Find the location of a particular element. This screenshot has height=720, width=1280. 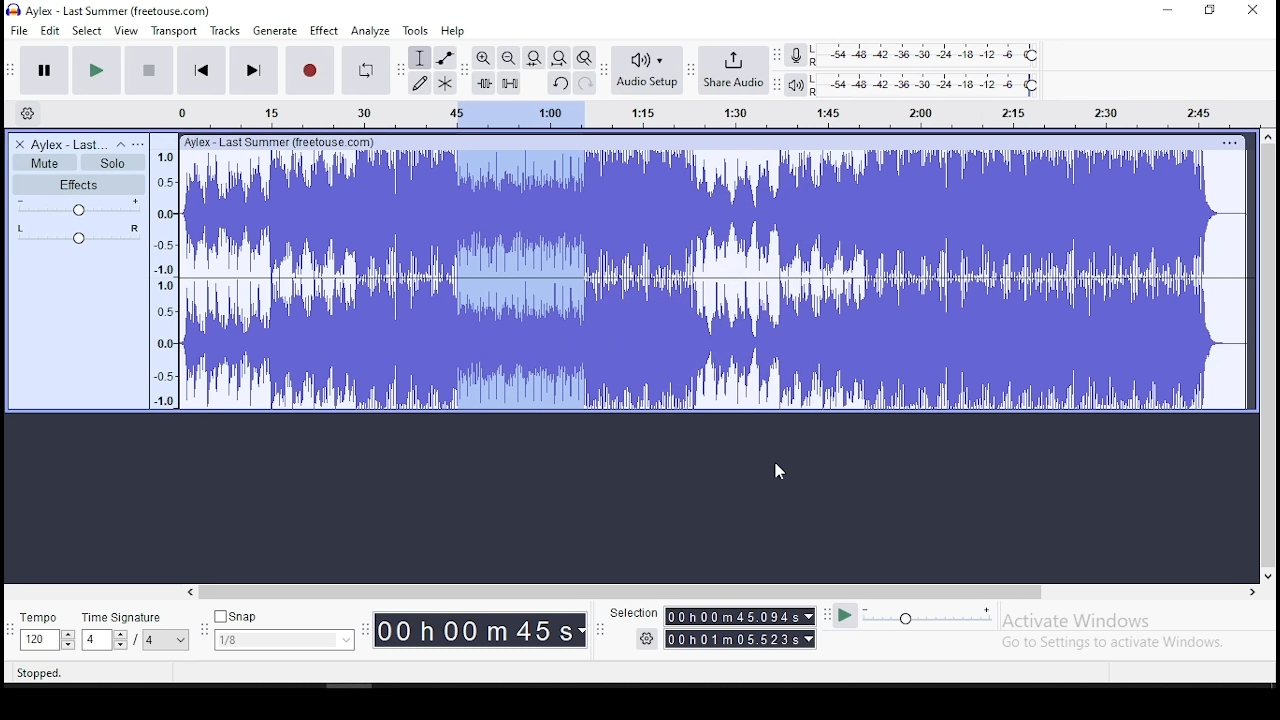

Selection is located at coordinates (627, 611).